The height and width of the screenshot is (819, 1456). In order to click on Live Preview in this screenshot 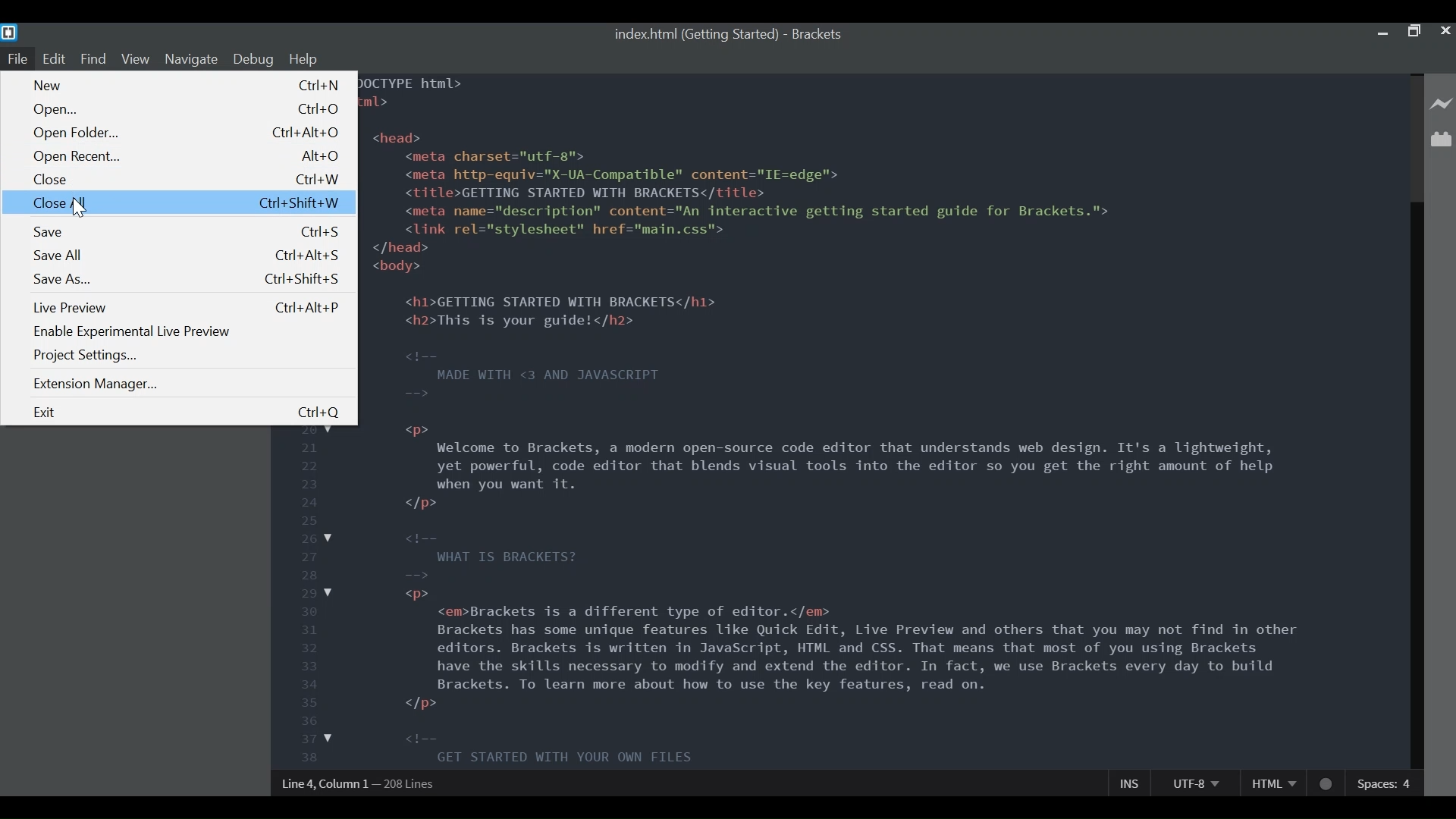, I will do `click(1441, 104)`.